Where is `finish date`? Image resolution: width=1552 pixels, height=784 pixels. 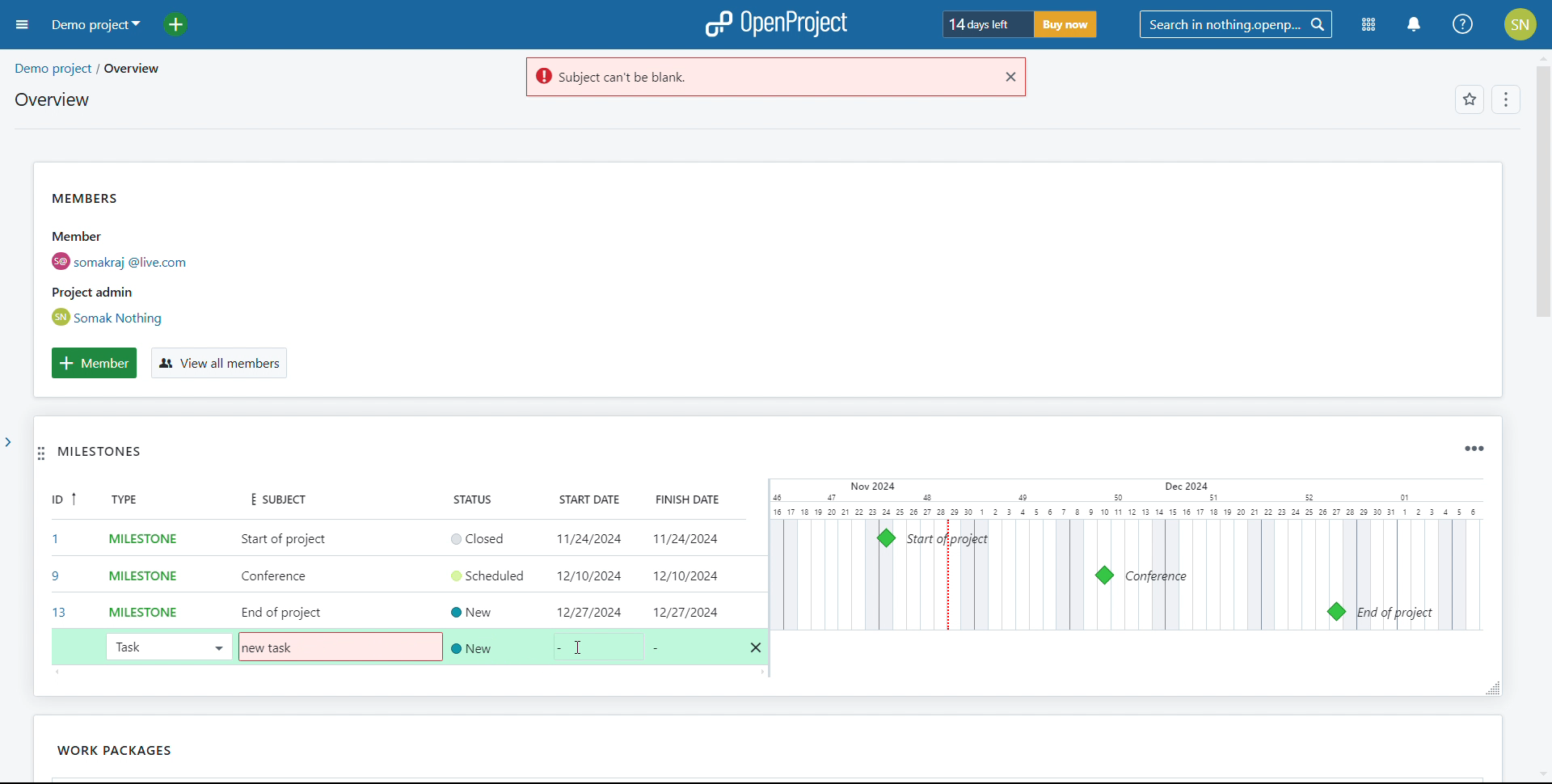 finish date is located at coordinates (681, 499).